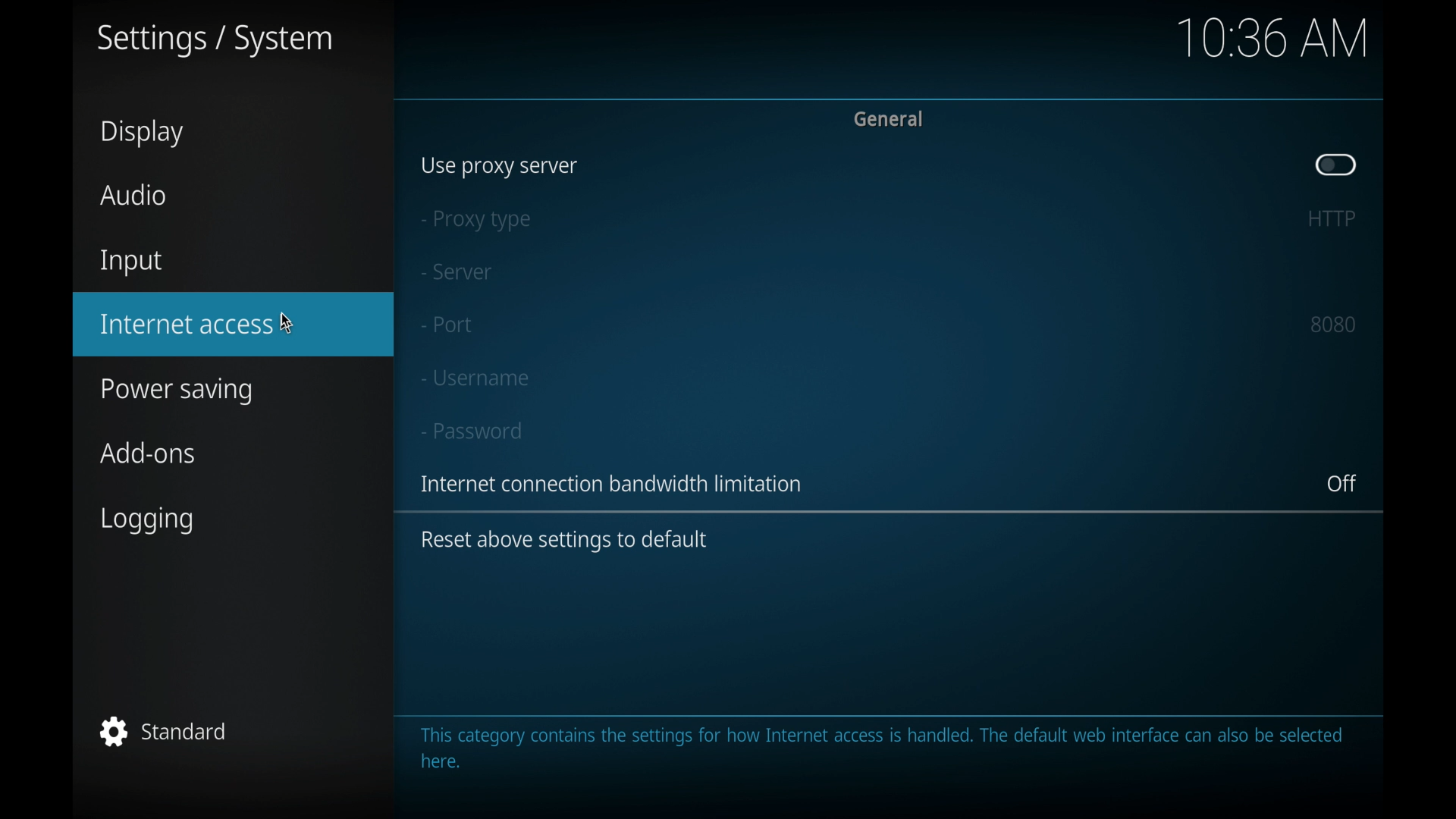 The width and height of the screenshot is (1456, 819). What do you see at coordinates (1330, 218) in the screenshot?
I see `http` at bounding box center [1330, 218].